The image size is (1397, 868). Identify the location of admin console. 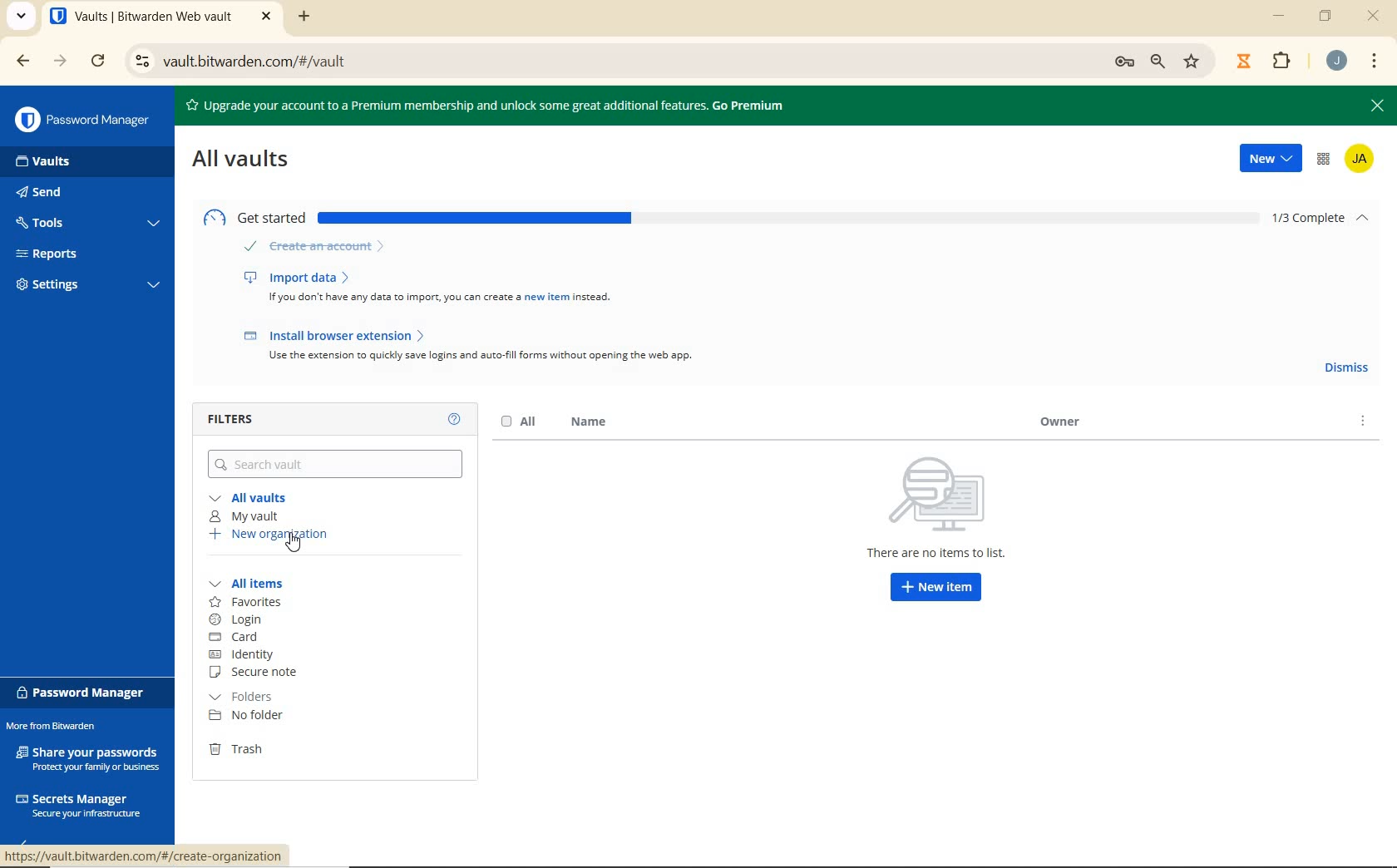
(1323, 162).